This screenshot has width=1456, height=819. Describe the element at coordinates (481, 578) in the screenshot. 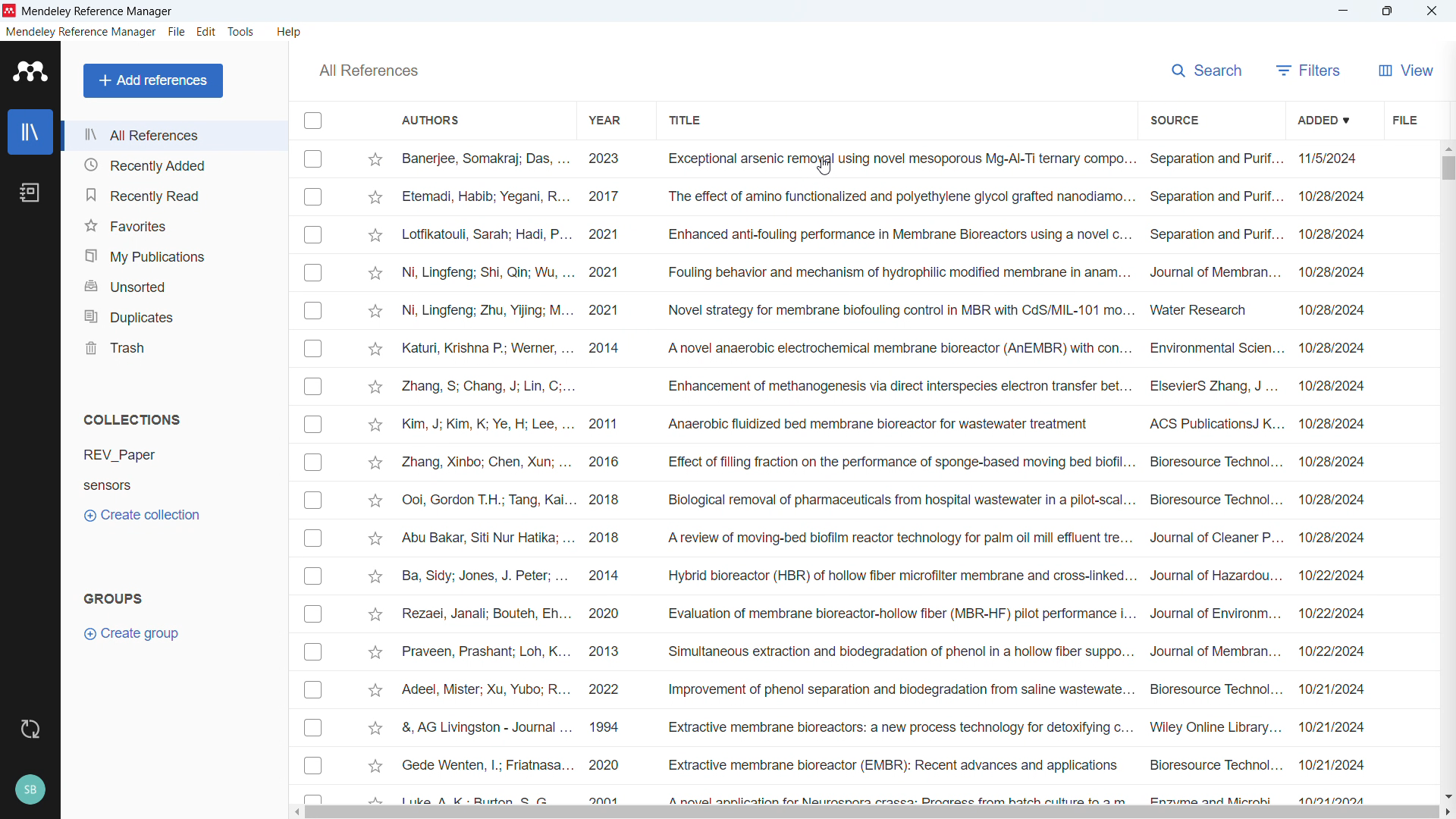

I see `ba,stdy,jones,j peter` at that location.